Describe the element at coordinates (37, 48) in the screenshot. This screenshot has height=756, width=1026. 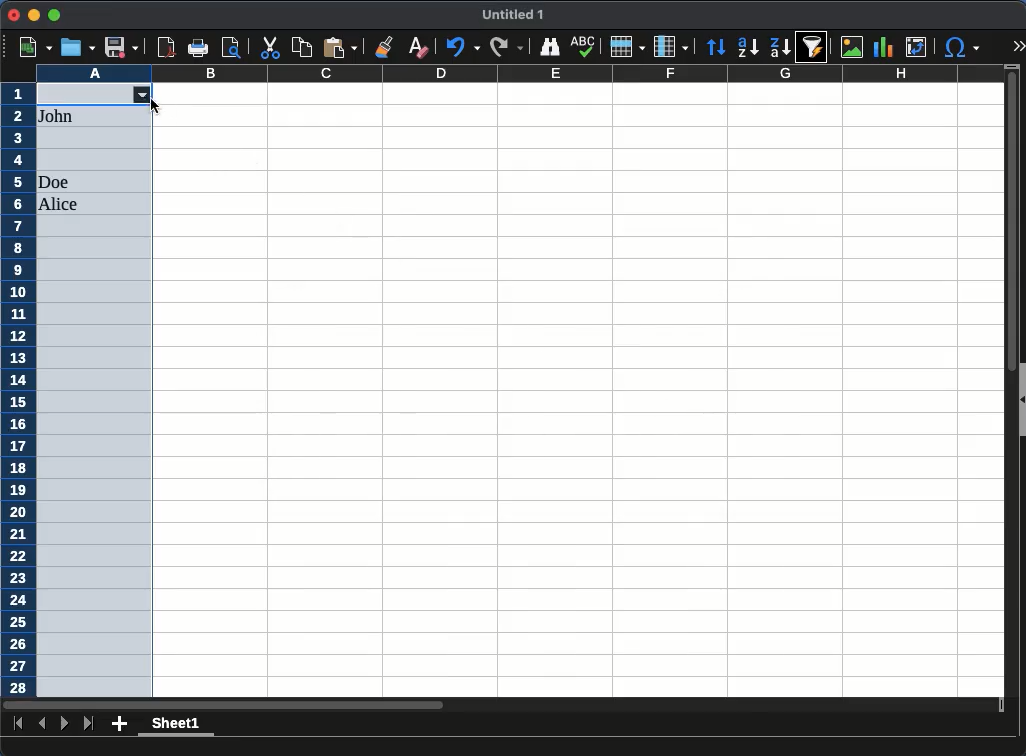
I see `new` at that location.